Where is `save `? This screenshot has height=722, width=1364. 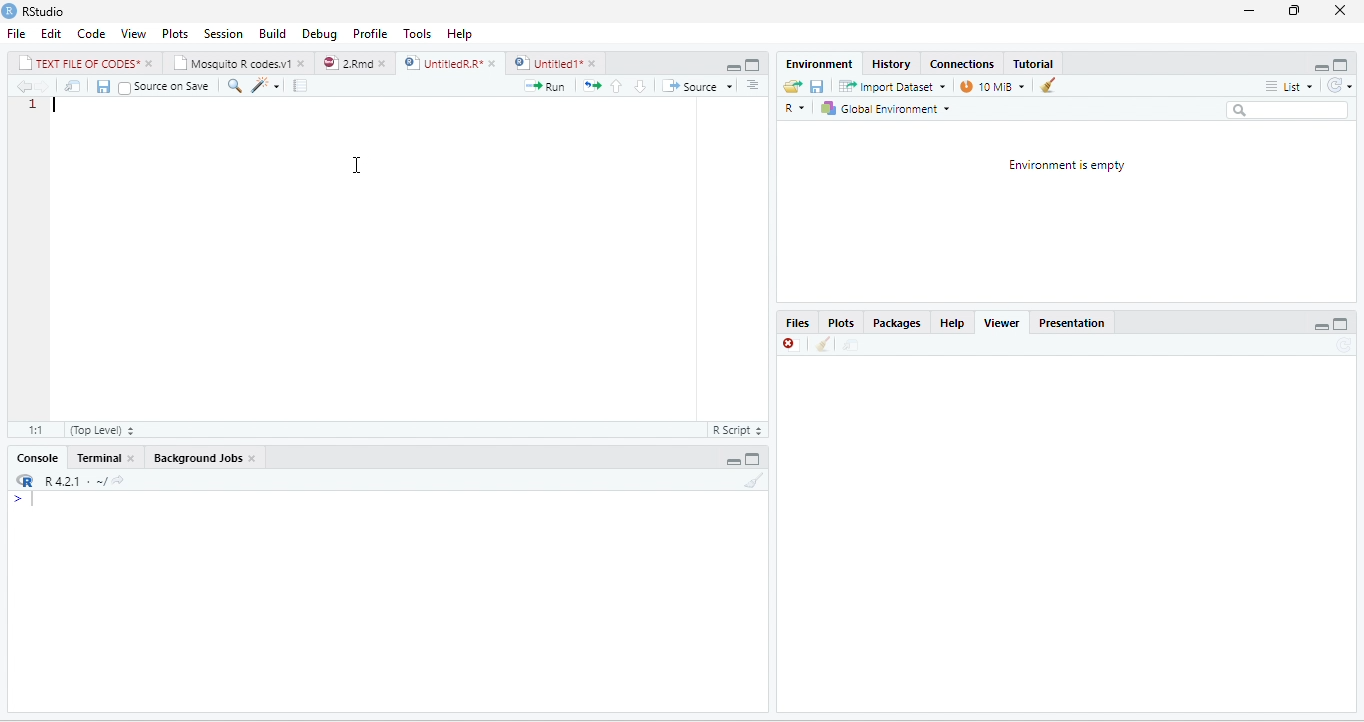 save  is located at coordinates (818, 86).